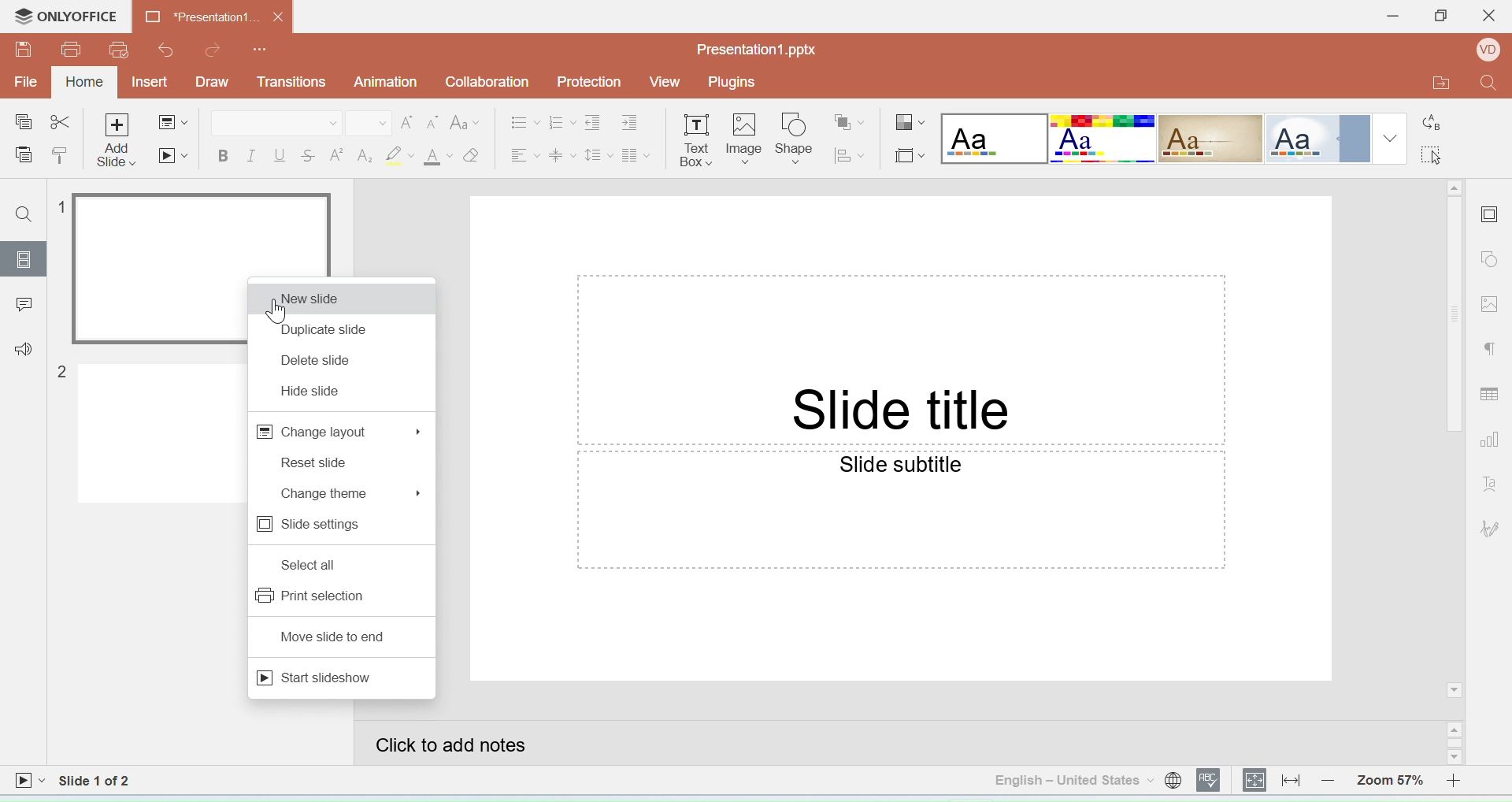 This screenshot has height=802, width=1512. What do you see at coordinates (23, 156) in the screenshot?
I see `Paste` at bounding box center [23, 156].